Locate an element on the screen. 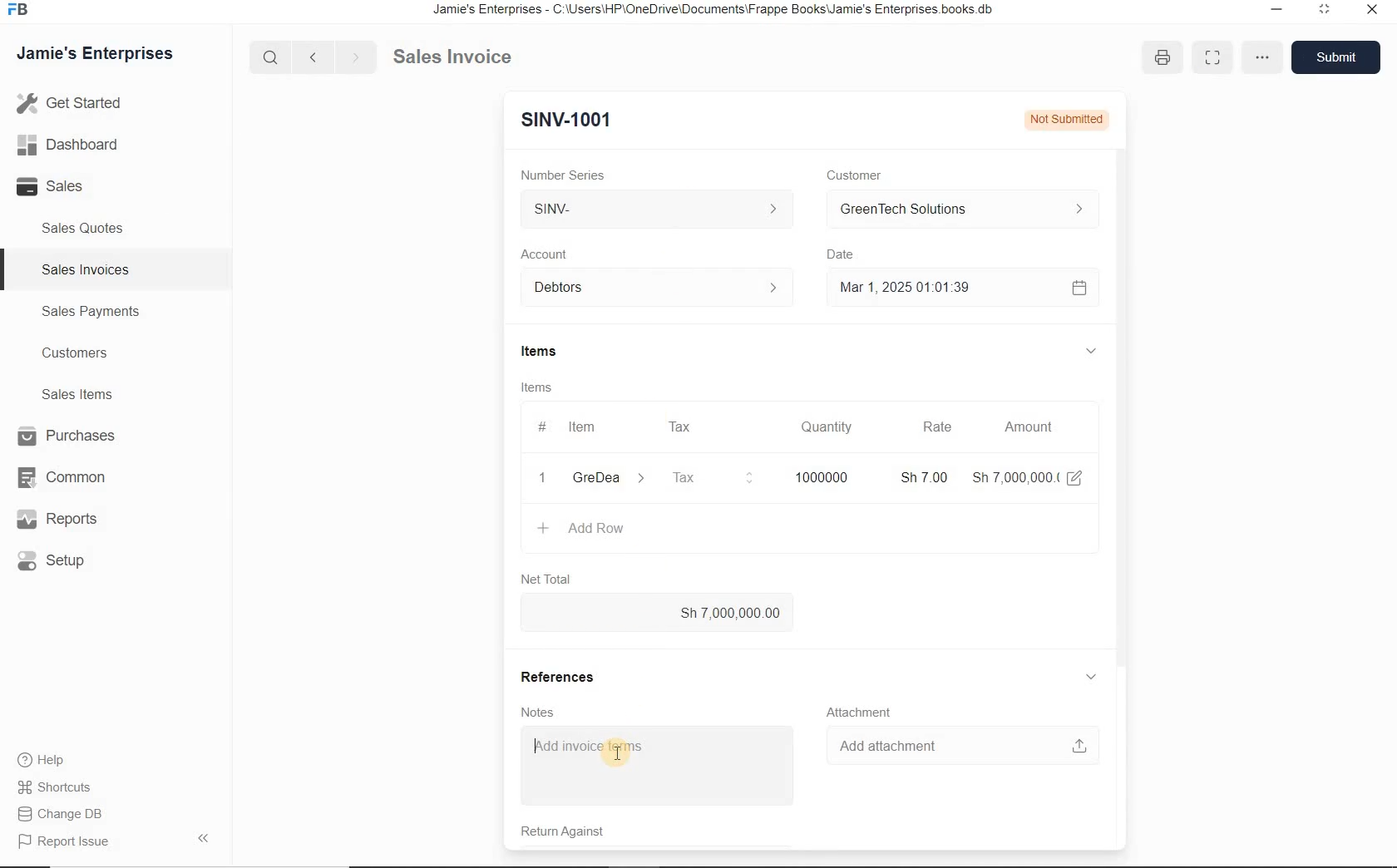 The width and height of the screenshot is (1397, 868). Tax is located at coordinates (682, 426).